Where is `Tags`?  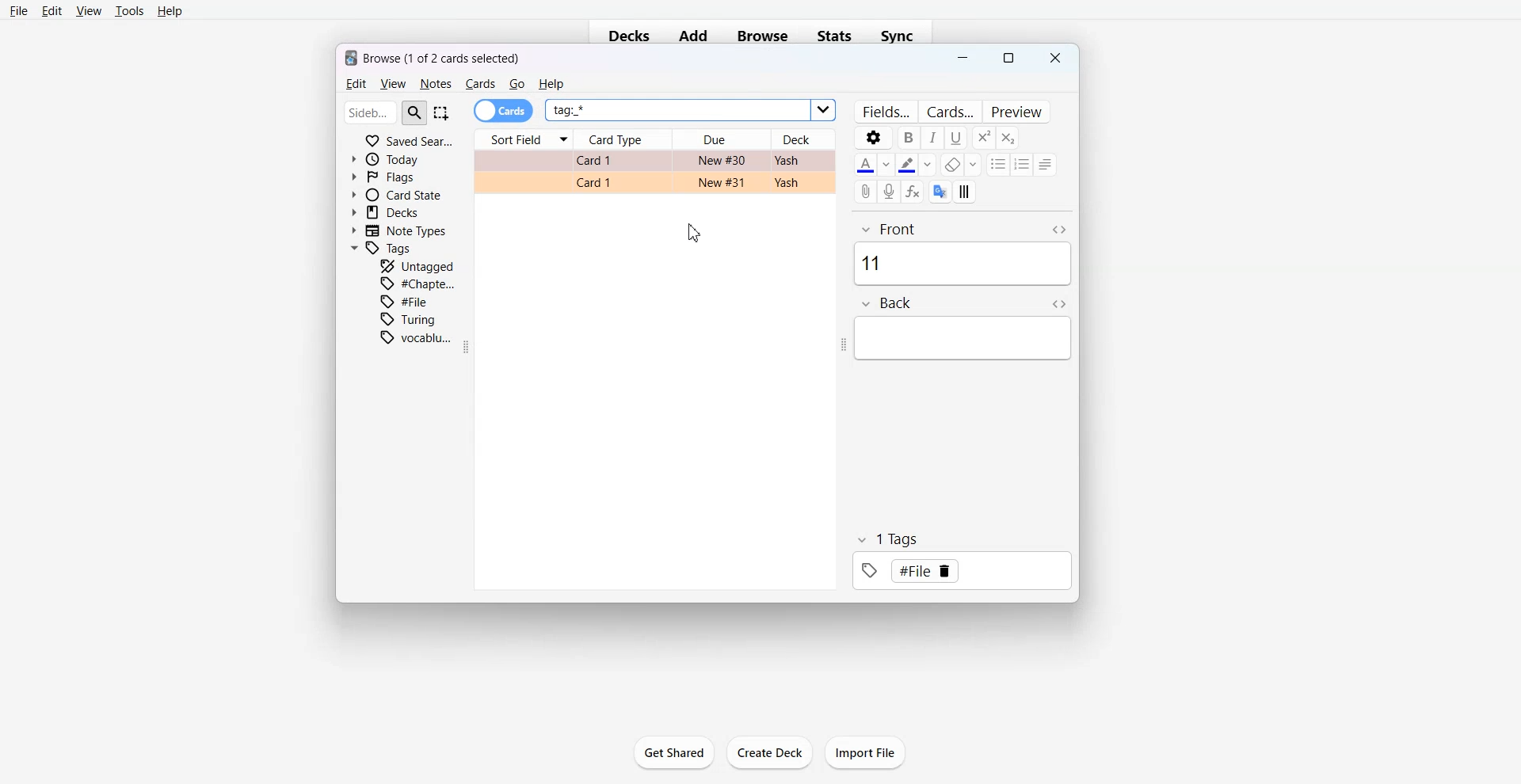
Tags is located at coordinates (383, 249).